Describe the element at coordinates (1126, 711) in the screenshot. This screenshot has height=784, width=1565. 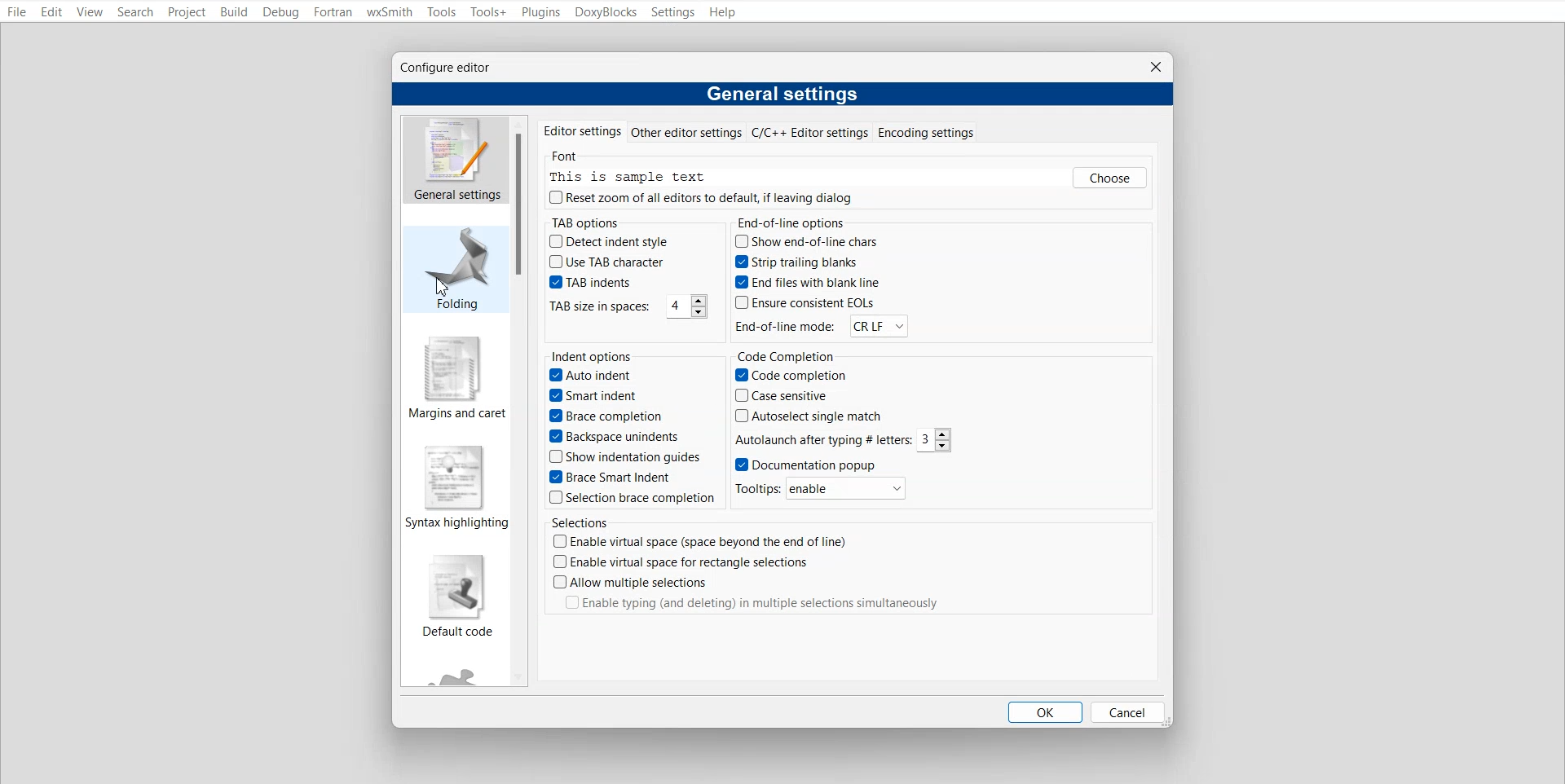
I see `Cancel` at that location.